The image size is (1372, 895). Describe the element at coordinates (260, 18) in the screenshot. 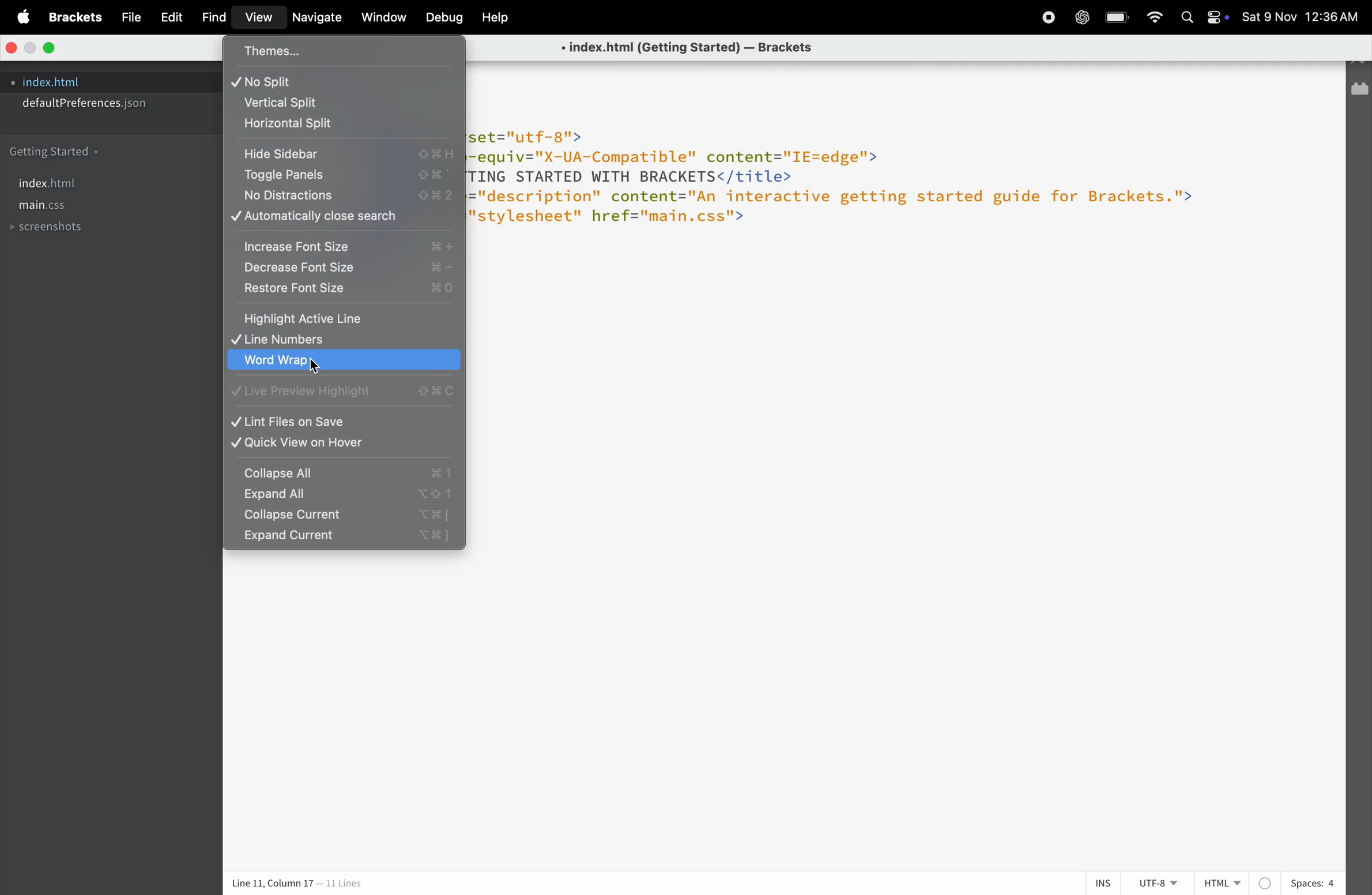

I see `view` at that location.